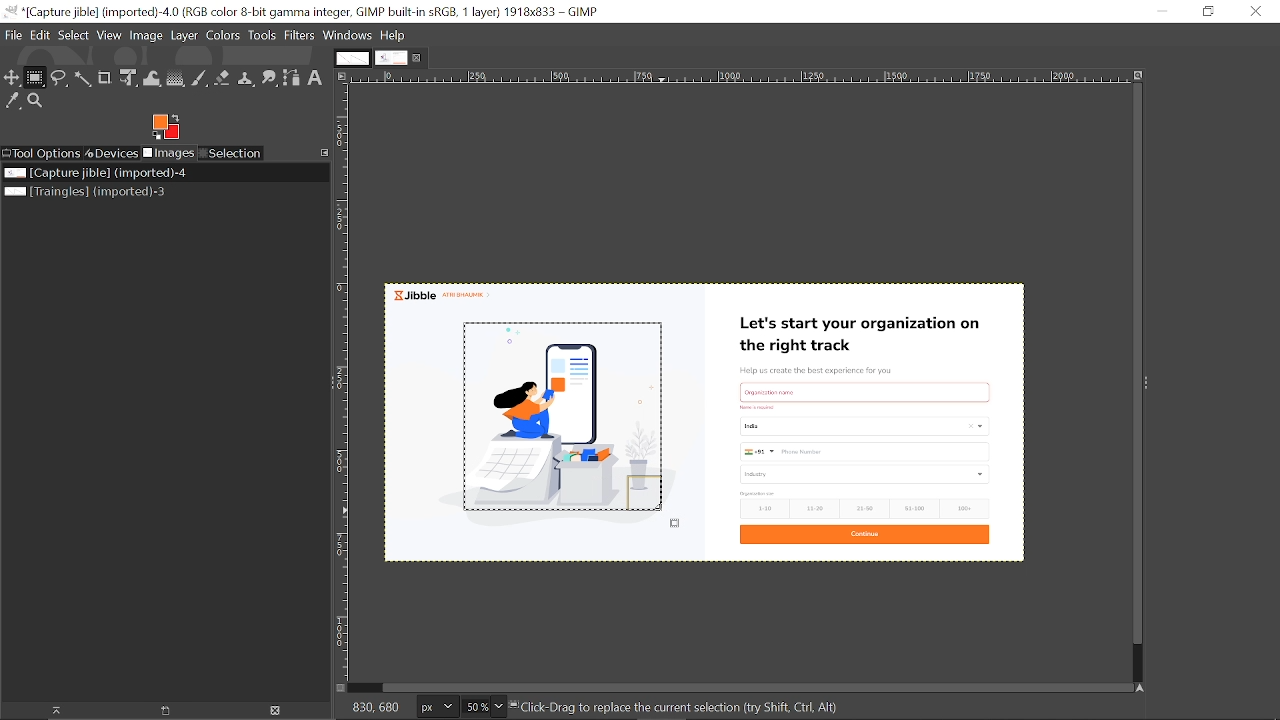  I want to click on Clone tool, so click(244, 78).